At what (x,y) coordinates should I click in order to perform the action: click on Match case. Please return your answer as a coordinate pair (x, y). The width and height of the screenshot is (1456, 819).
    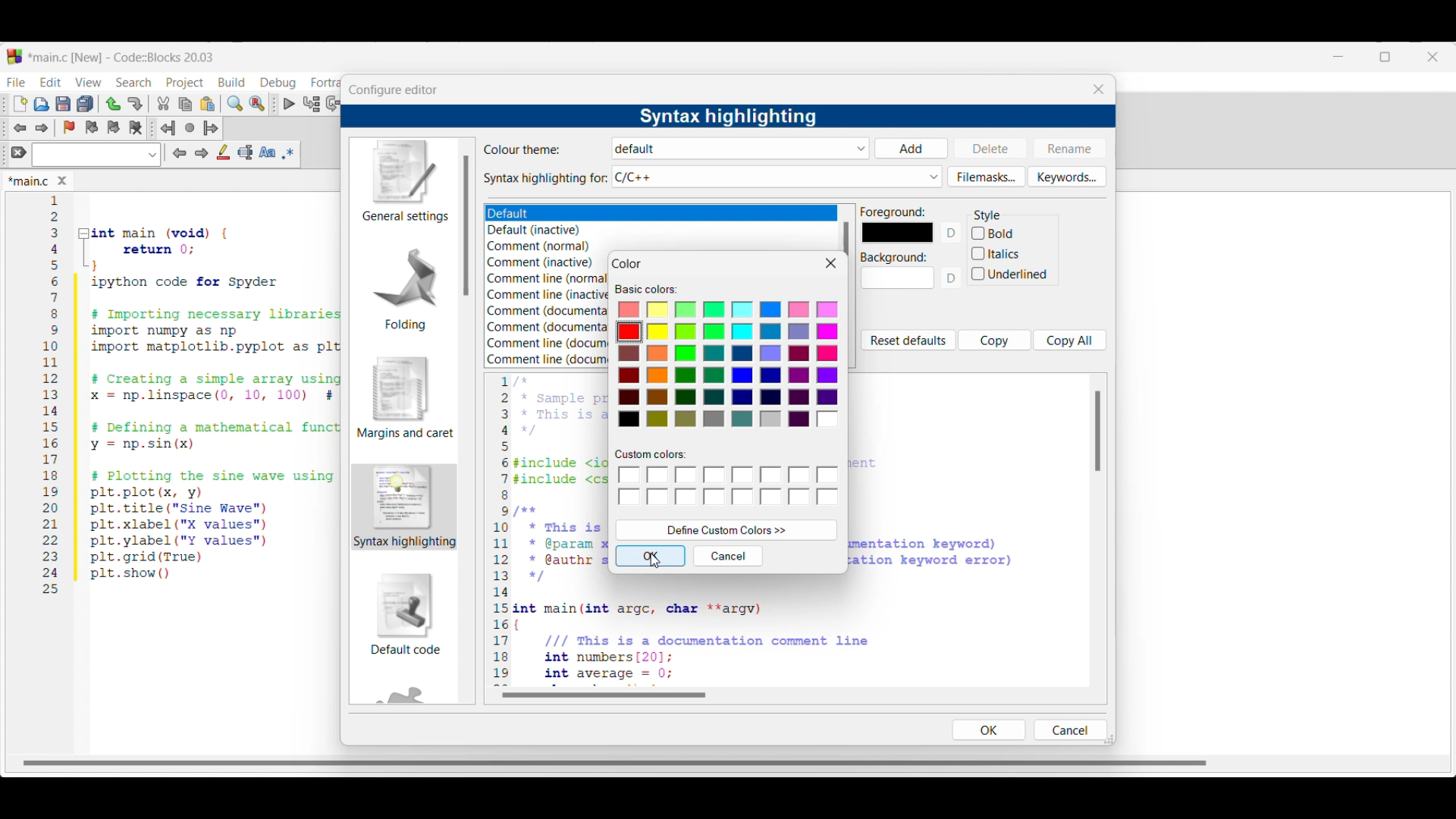
    Looking at the image, I should click on (267, 152).